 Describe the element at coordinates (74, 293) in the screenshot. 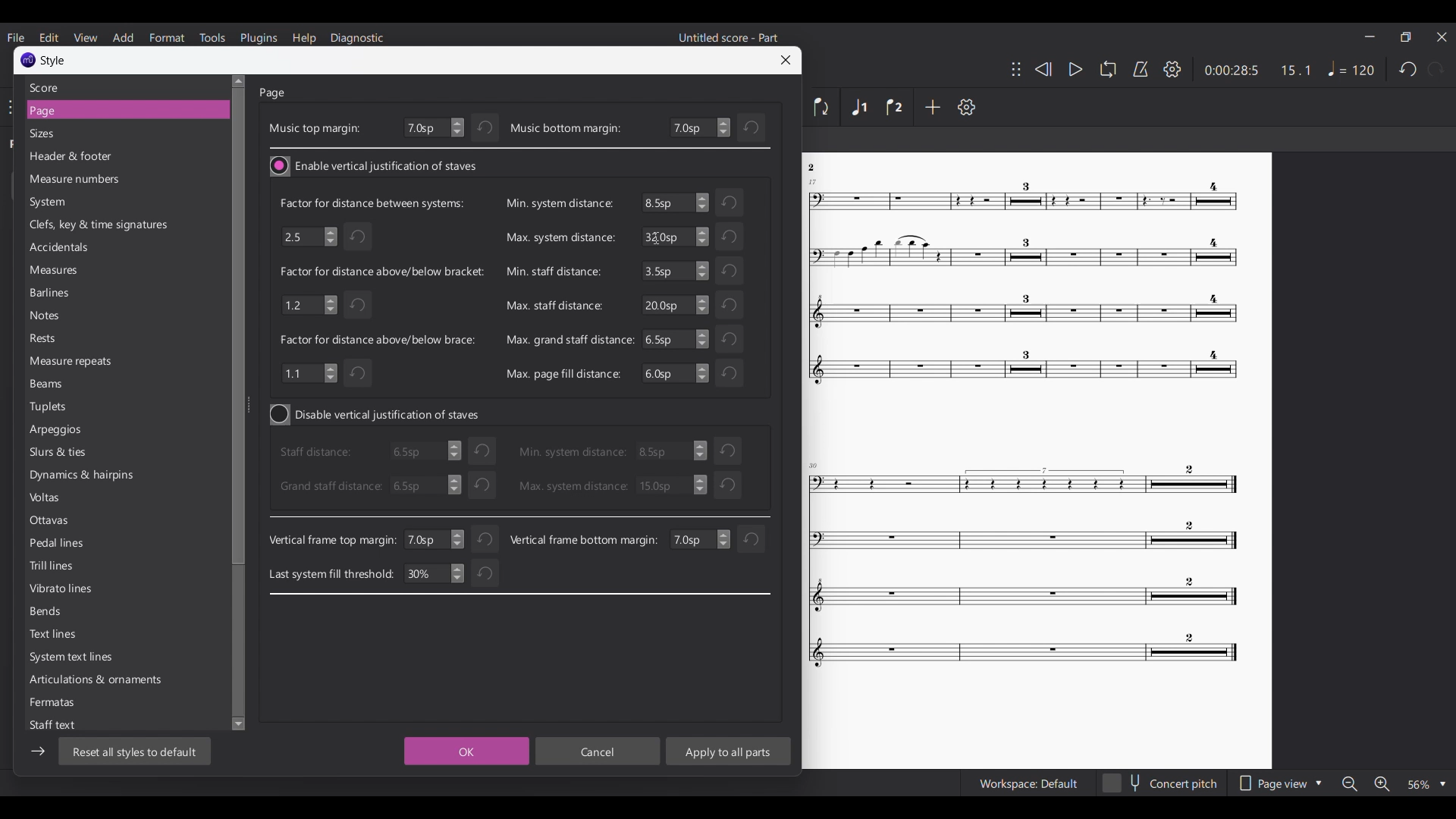

I see `Barlines` at that location.